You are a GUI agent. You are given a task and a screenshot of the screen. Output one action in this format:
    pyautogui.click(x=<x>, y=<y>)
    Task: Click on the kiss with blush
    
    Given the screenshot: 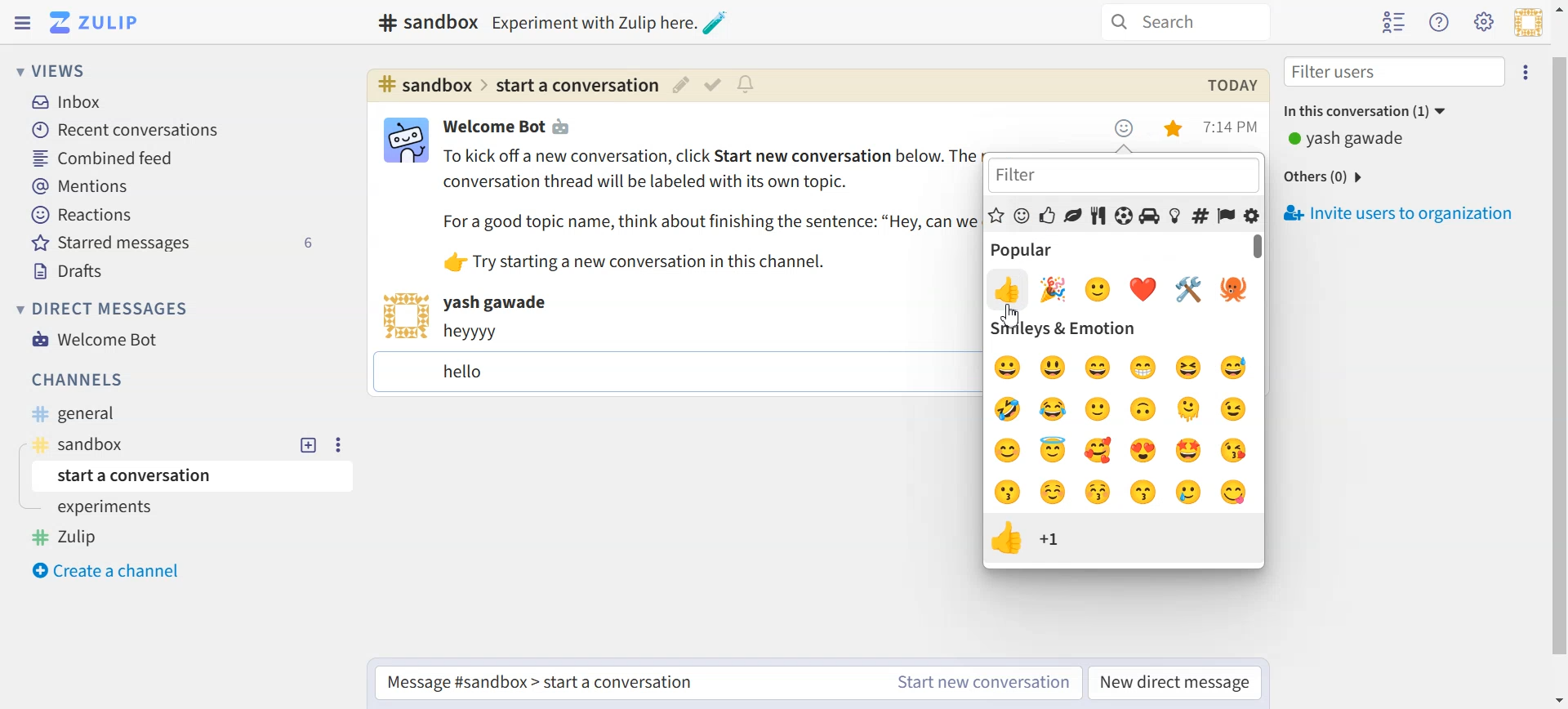 What is the action you would take?
    pyautogui.click(x=1103, y=492)
    